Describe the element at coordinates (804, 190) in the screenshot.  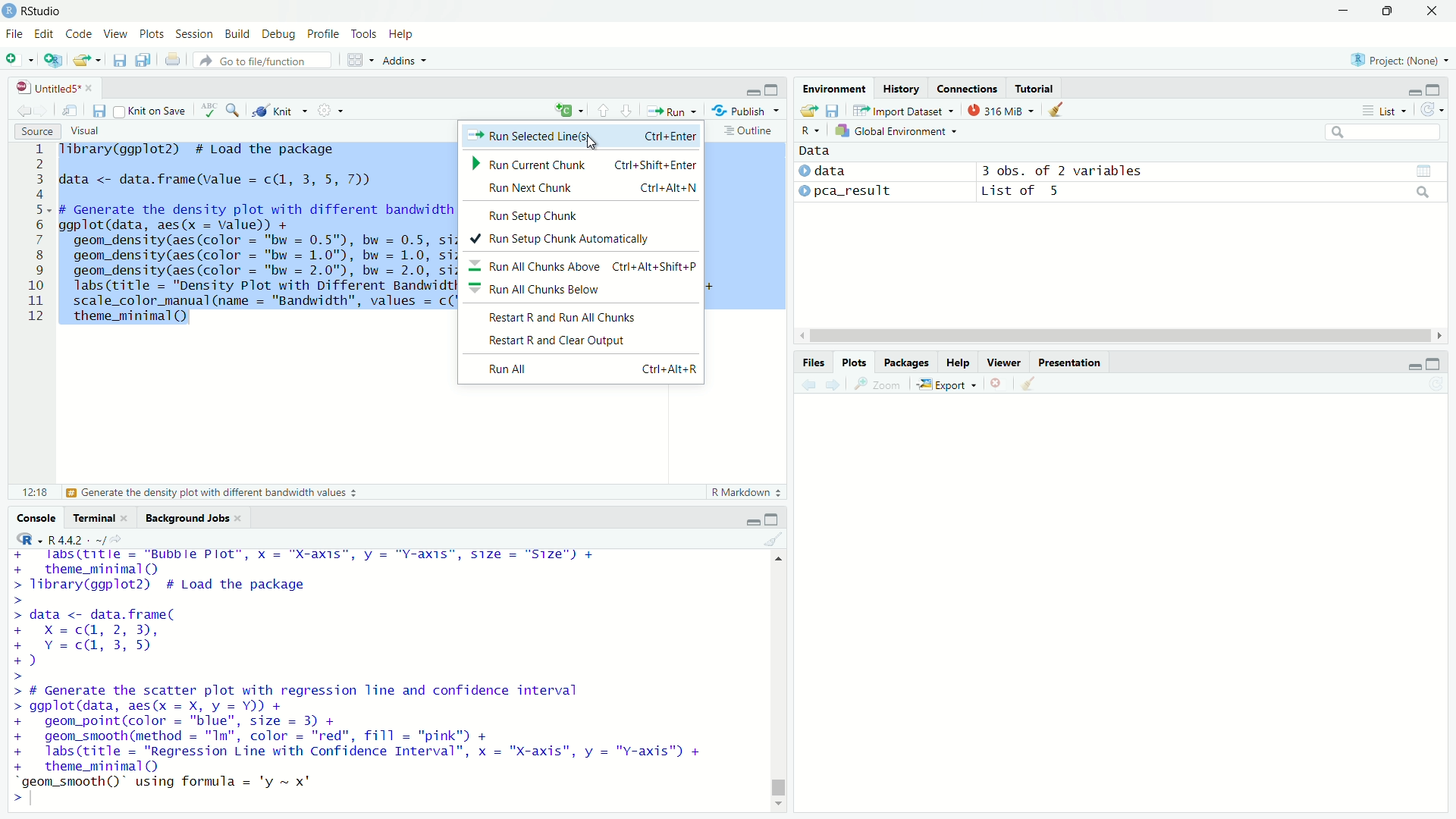
I see `expand/collapse` at that location.